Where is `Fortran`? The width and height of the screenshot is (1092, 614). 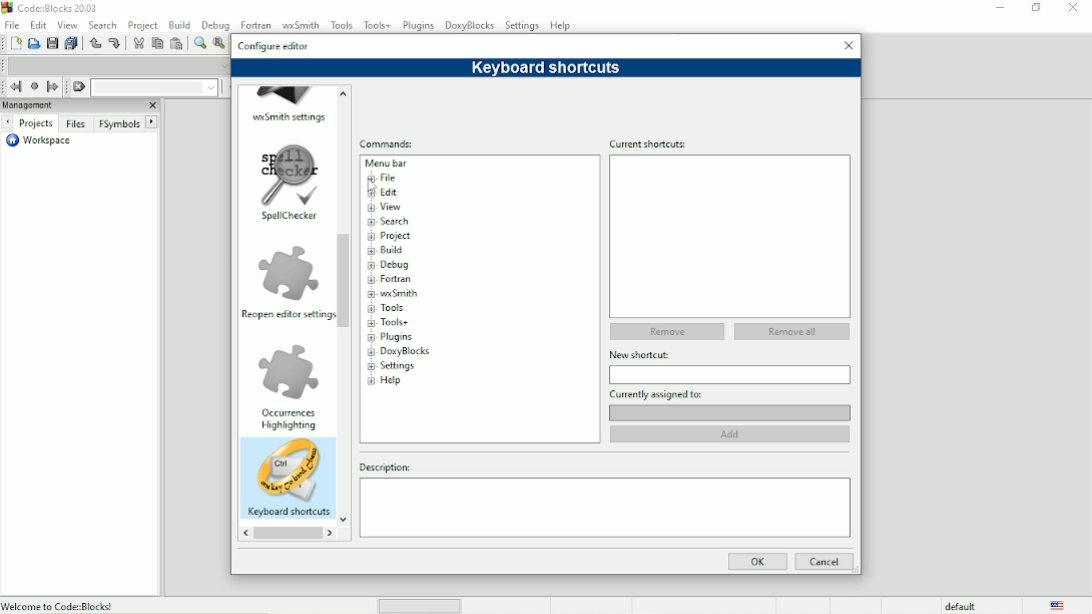
Fortran is located at coordinates (396, 279).